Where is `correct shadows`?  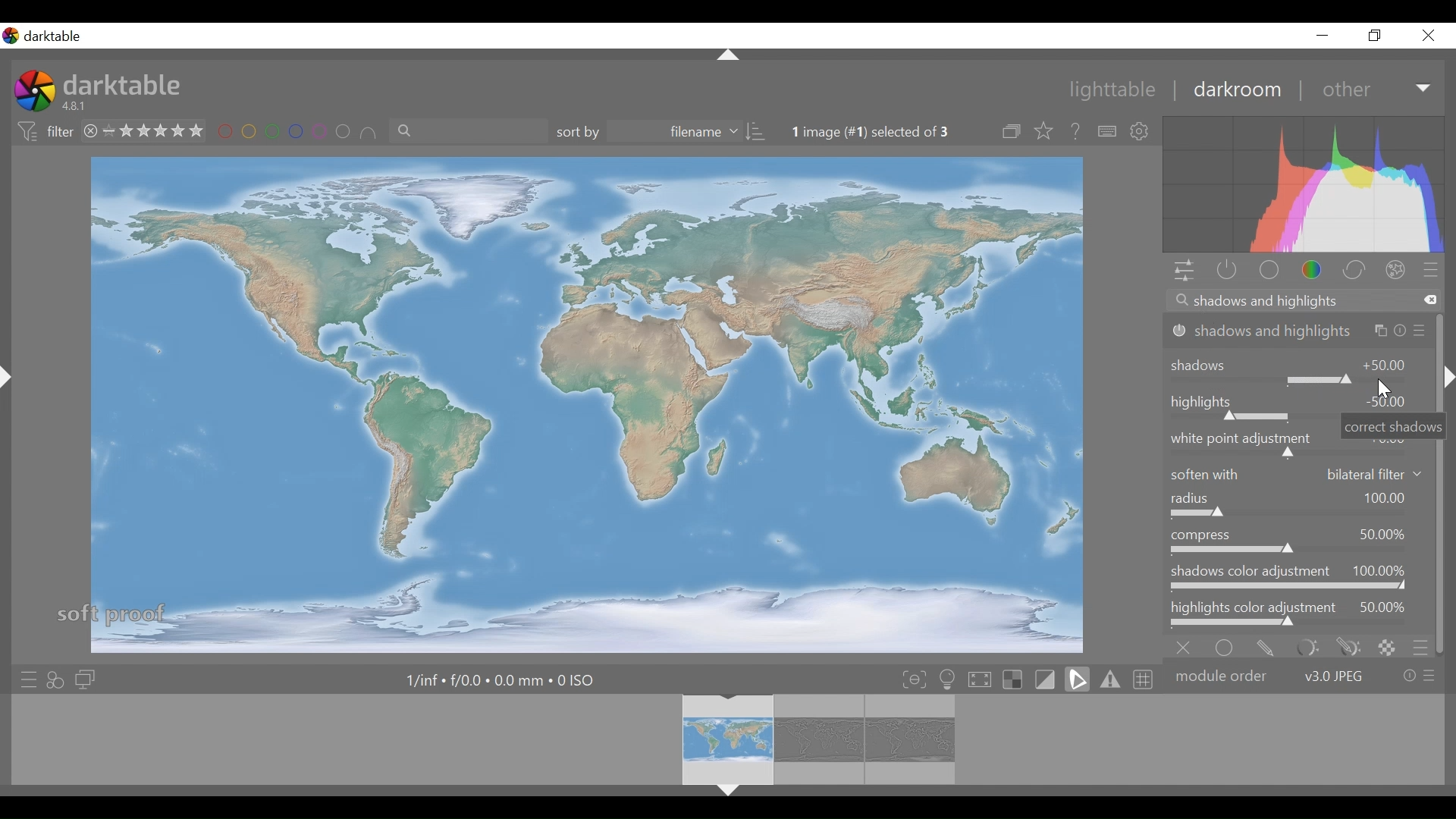 correct shadows is located at coordinates (1393, 426).